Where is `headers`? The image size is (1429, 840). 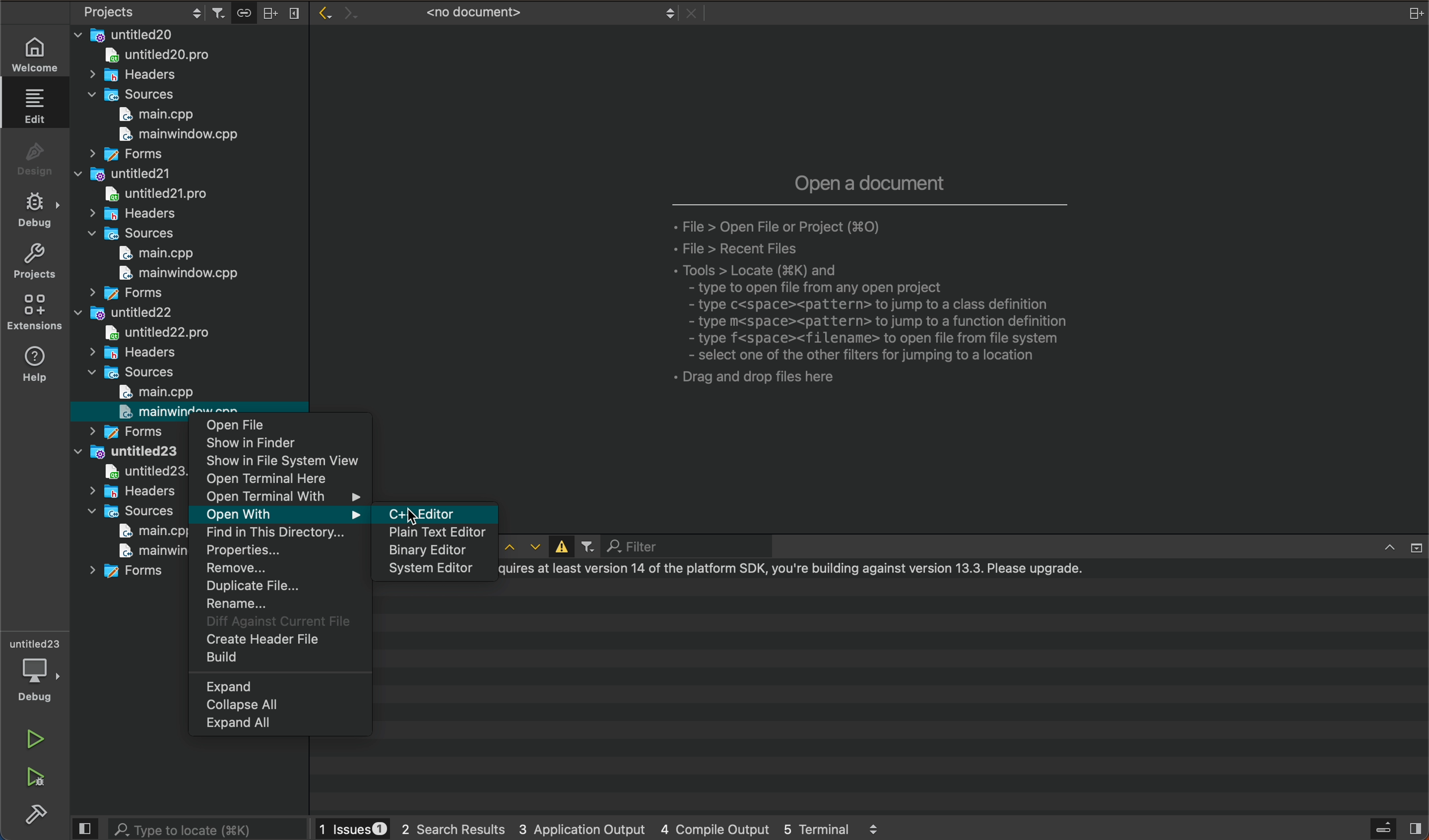
headers is located at coordinates (132, 491).